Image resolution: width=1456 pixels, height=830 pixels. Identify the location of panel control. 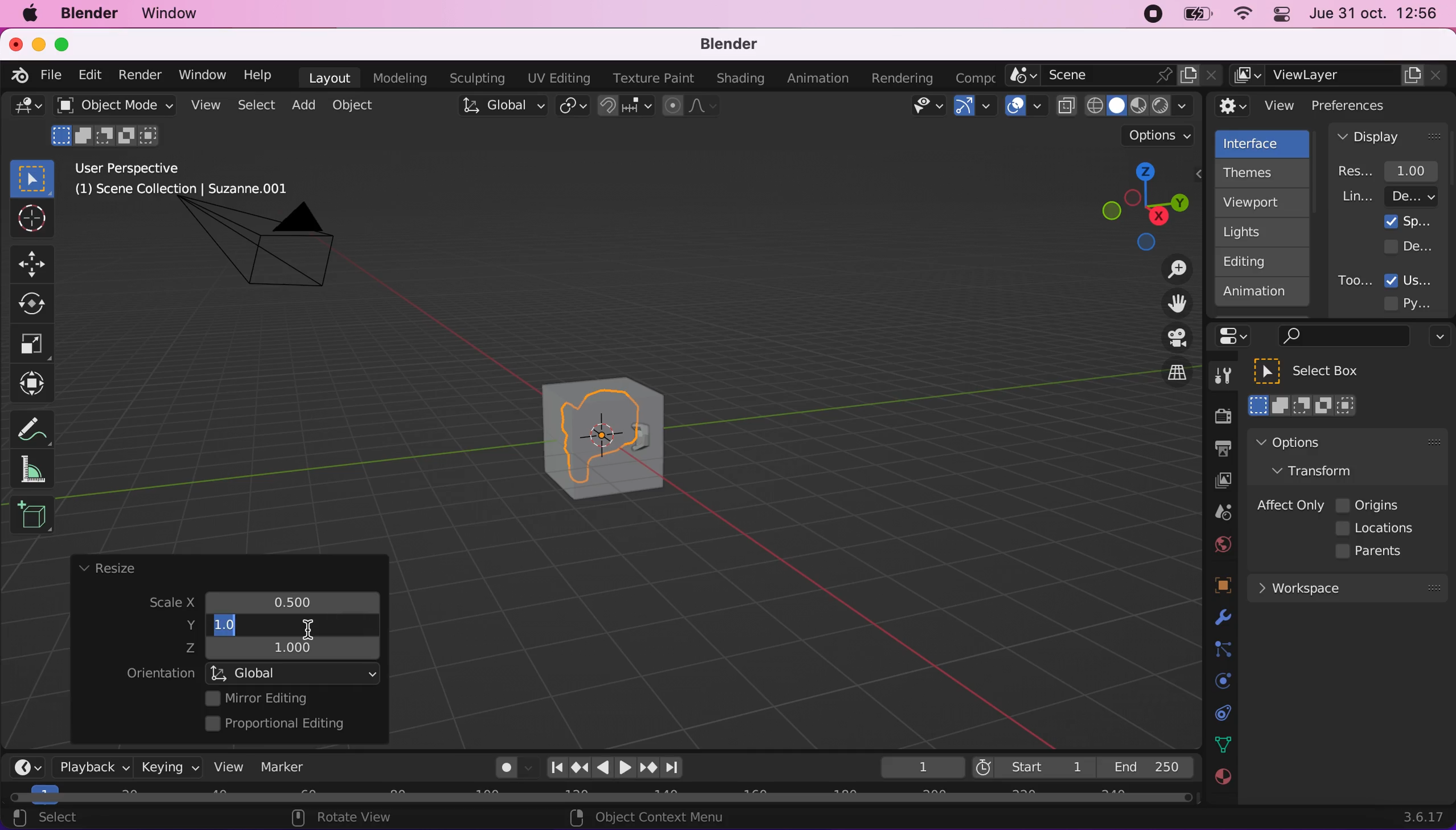
(1237, 336).